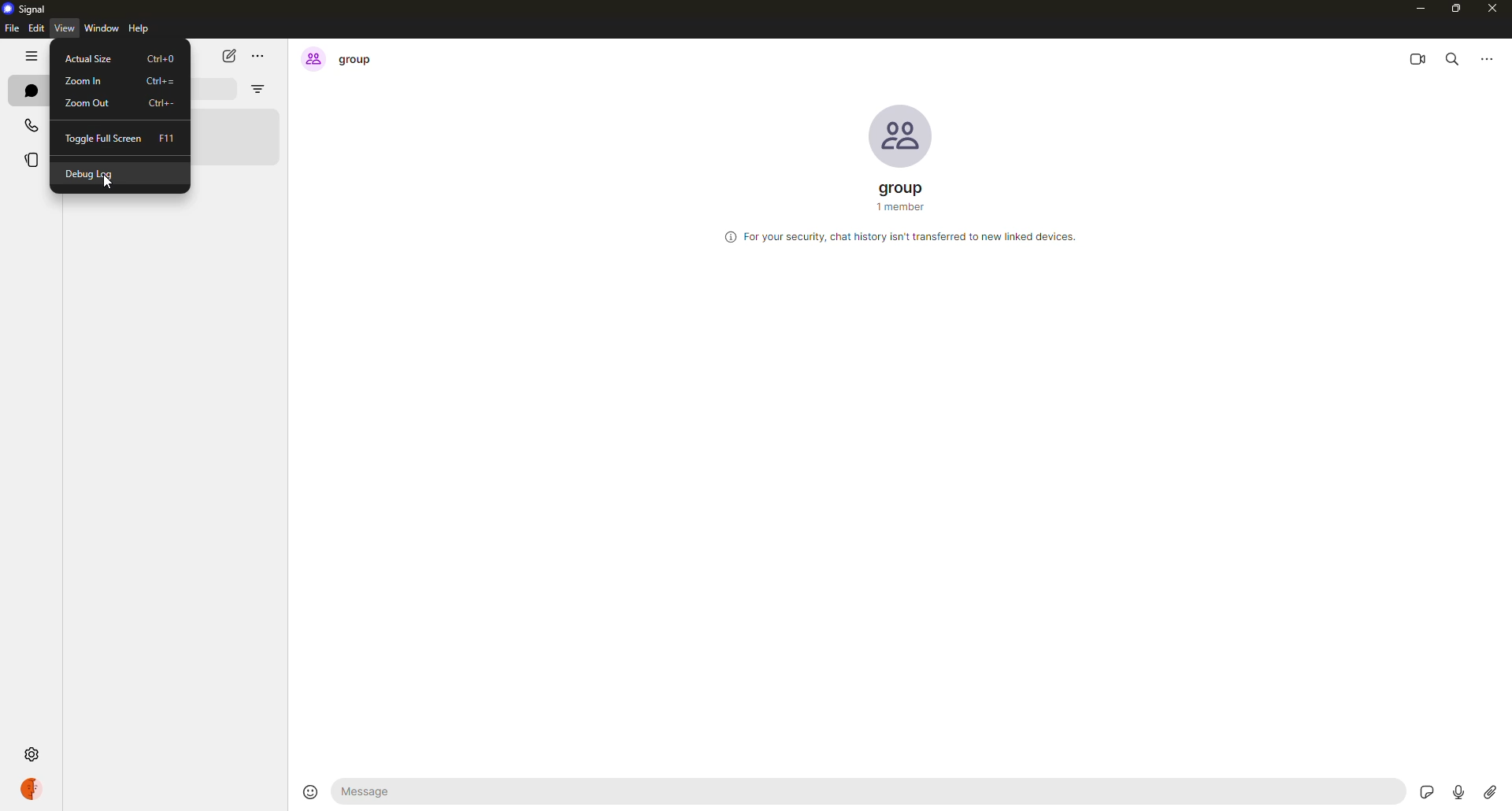 This screenshot has height=811, width=1512. Describe the element at coordinates (257, 89) in the screenshot. I see `filter` at that location.